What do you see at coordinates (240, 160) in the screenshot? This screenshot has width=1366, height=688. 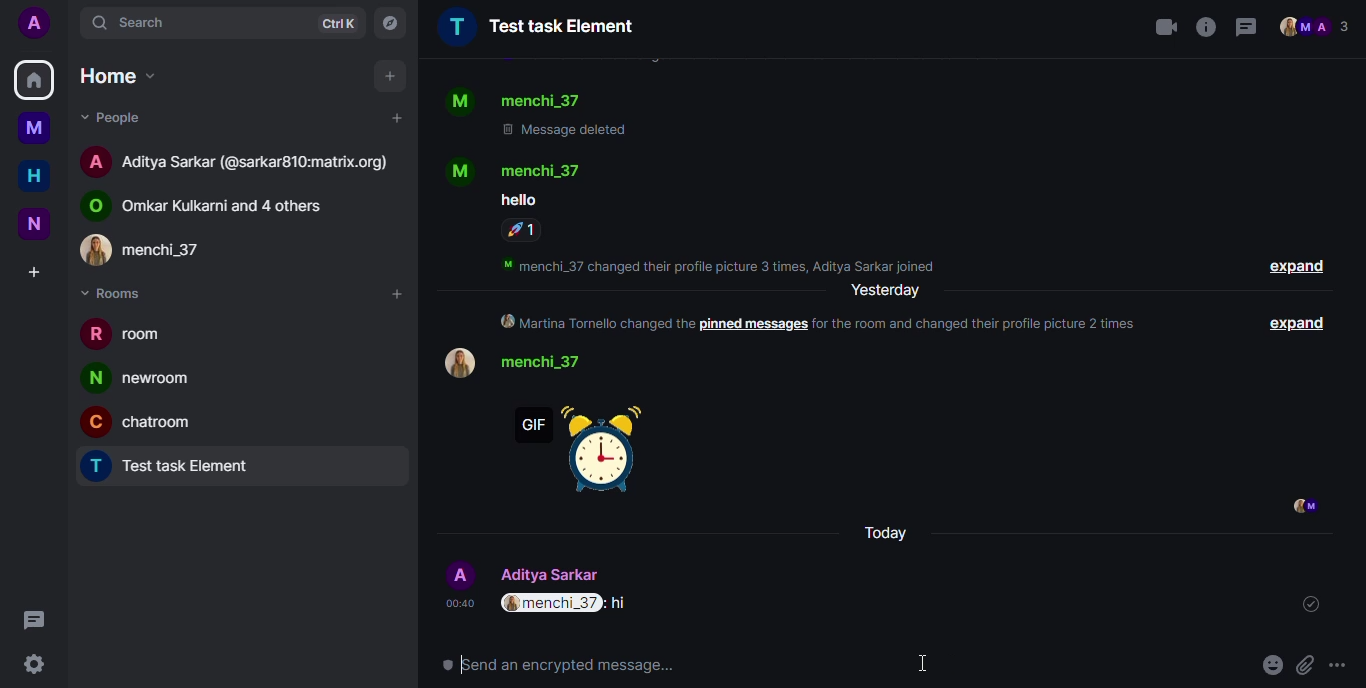 I see `contact` at bounding box center [240, 160].